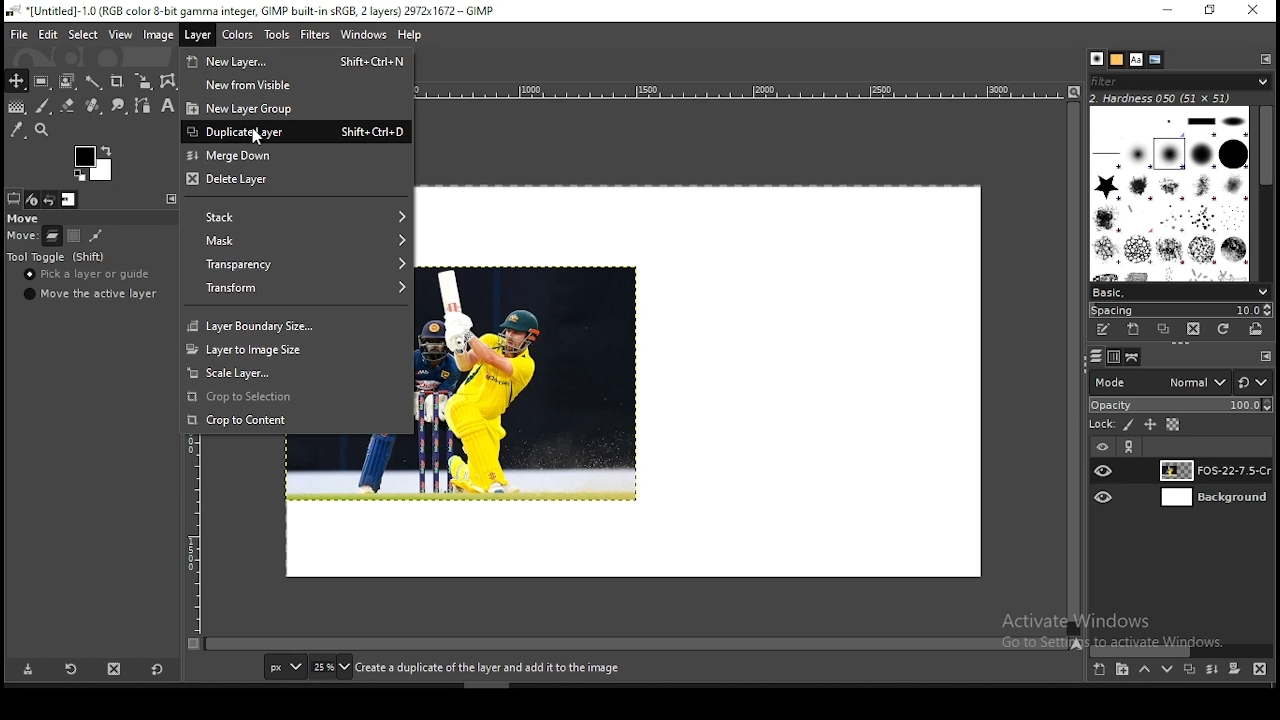 The image size is (1280, 720). Describe the element at coordinates (253, 59) in the screenshot. I see `new layer` at that location.